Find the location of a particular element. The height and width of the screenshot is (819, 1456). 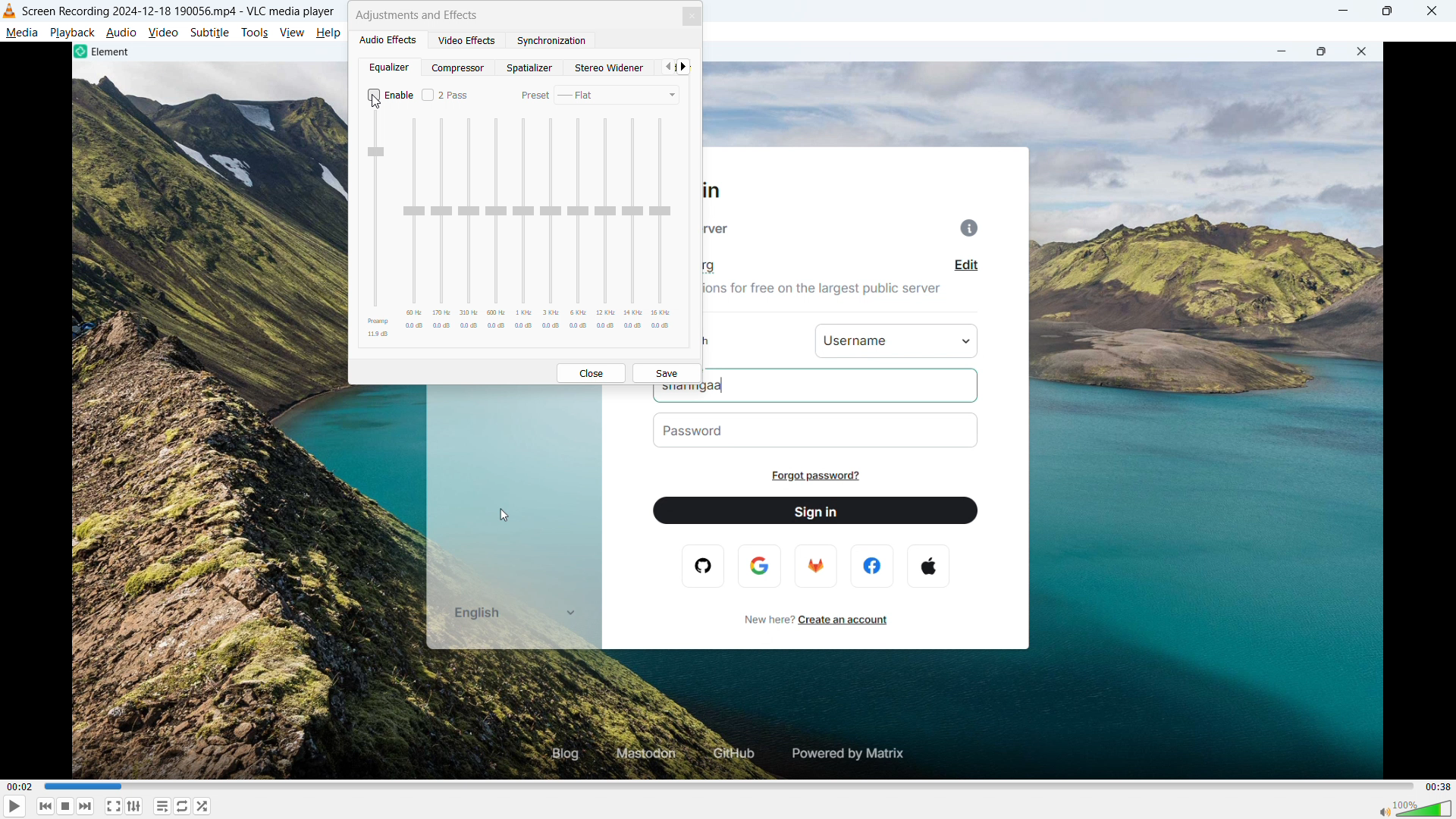

time bar is located at coordinates (726, 785).